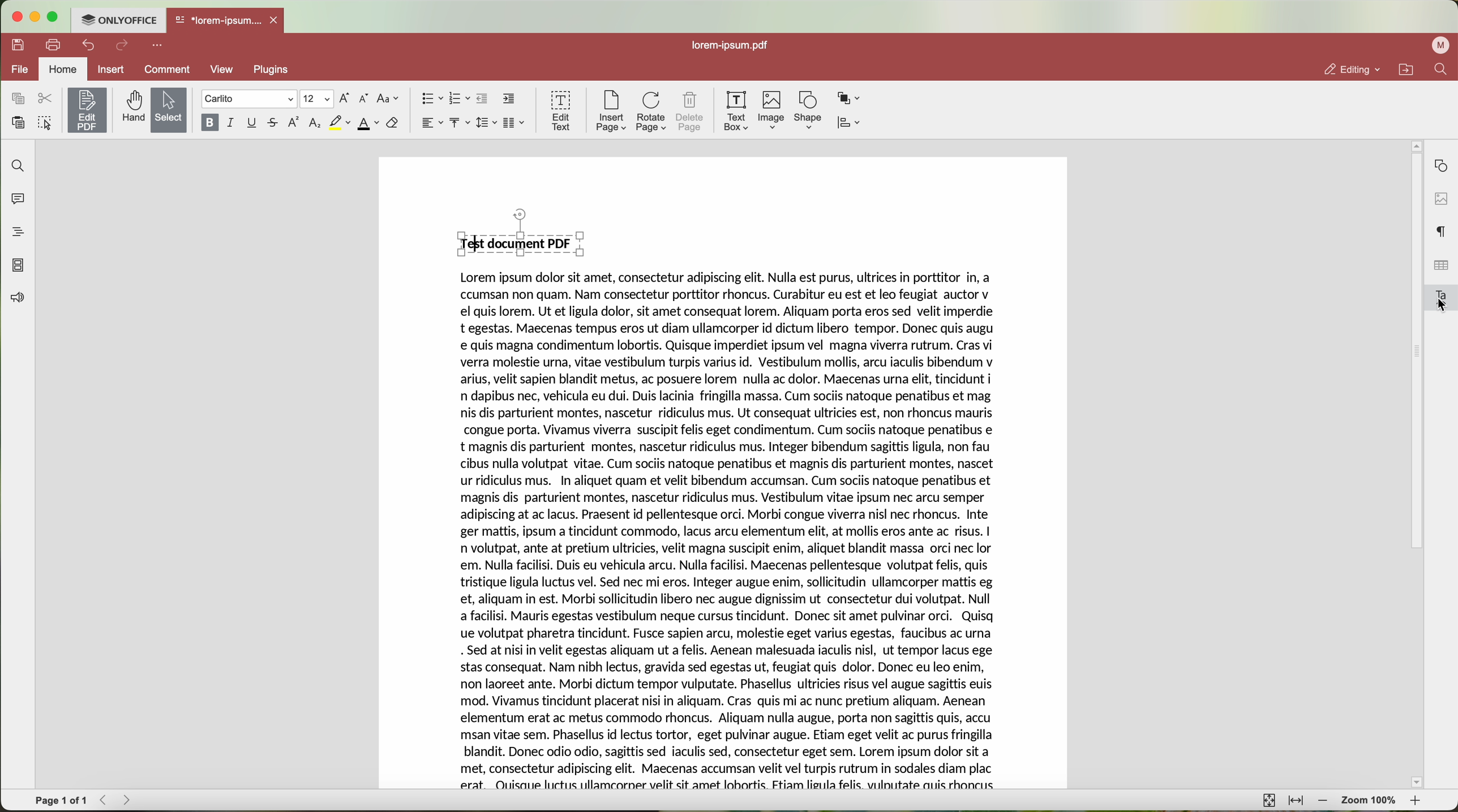 The width and height of the screenshot is (1458, 812). I want to click on Forward, so click(130, 800).